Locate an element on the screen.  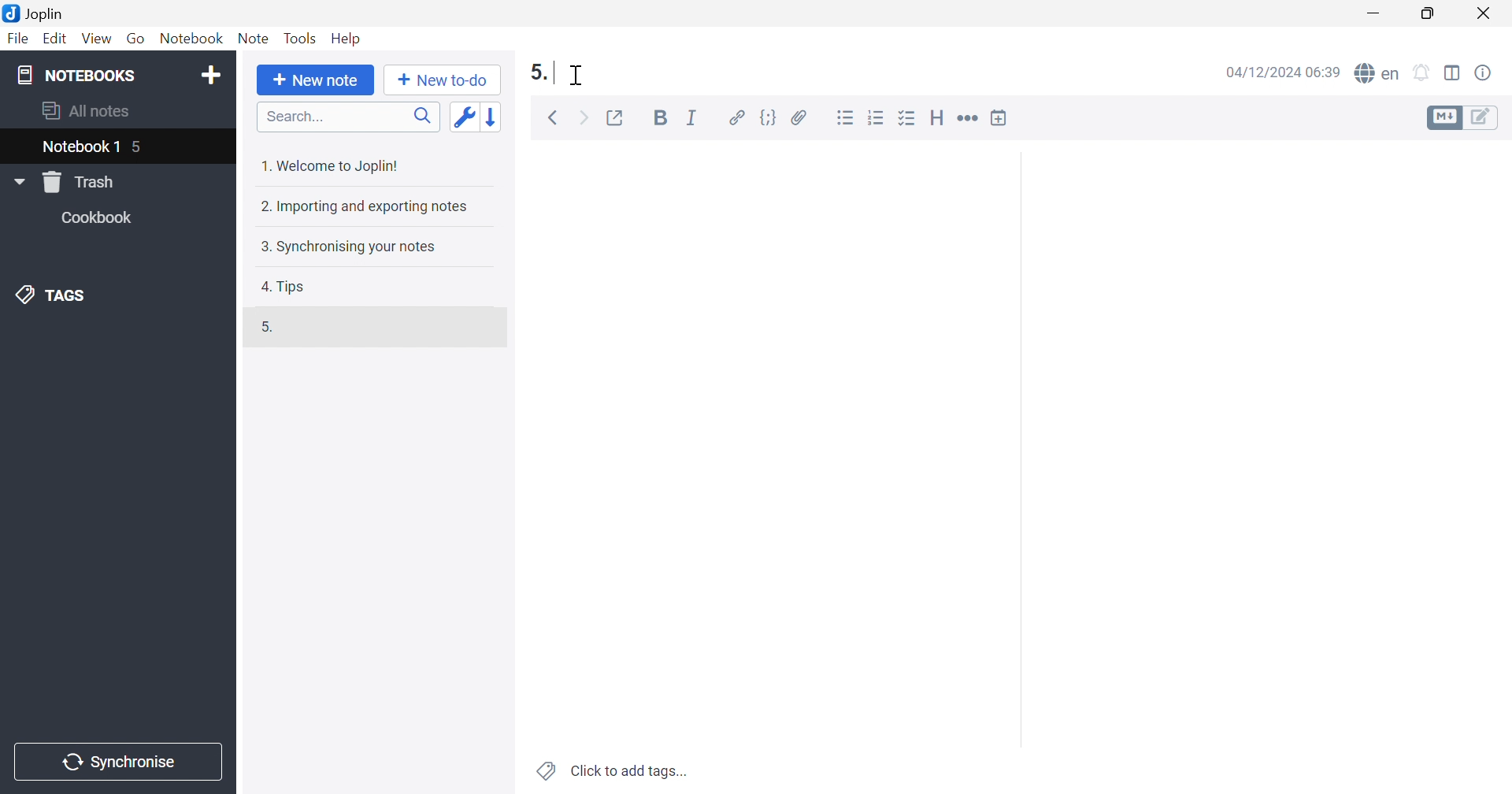
Numbered list is located at coordinates (877, 117).